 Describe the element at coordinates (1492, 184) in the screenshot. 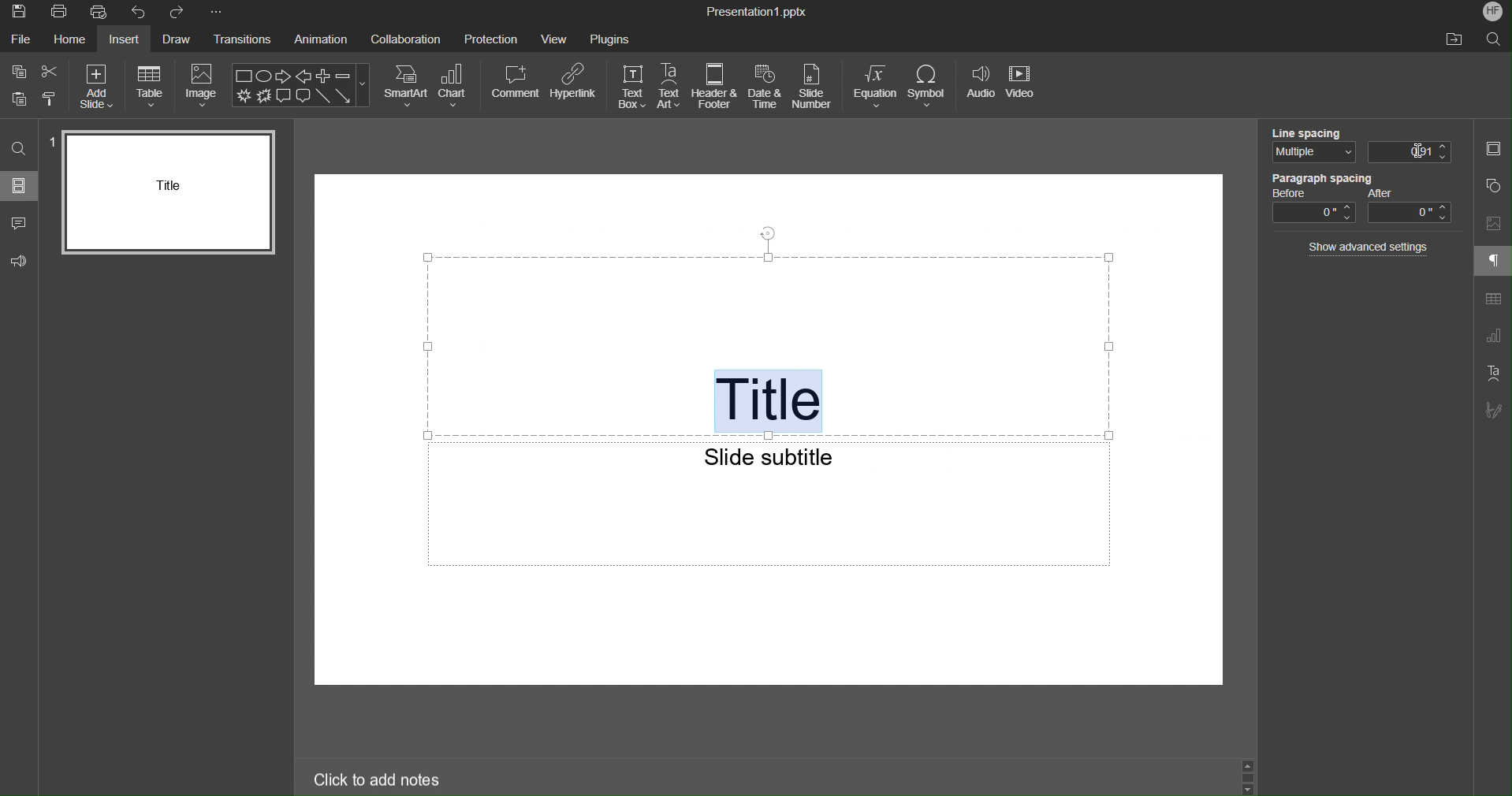

I see `Shape Settings` at that location.